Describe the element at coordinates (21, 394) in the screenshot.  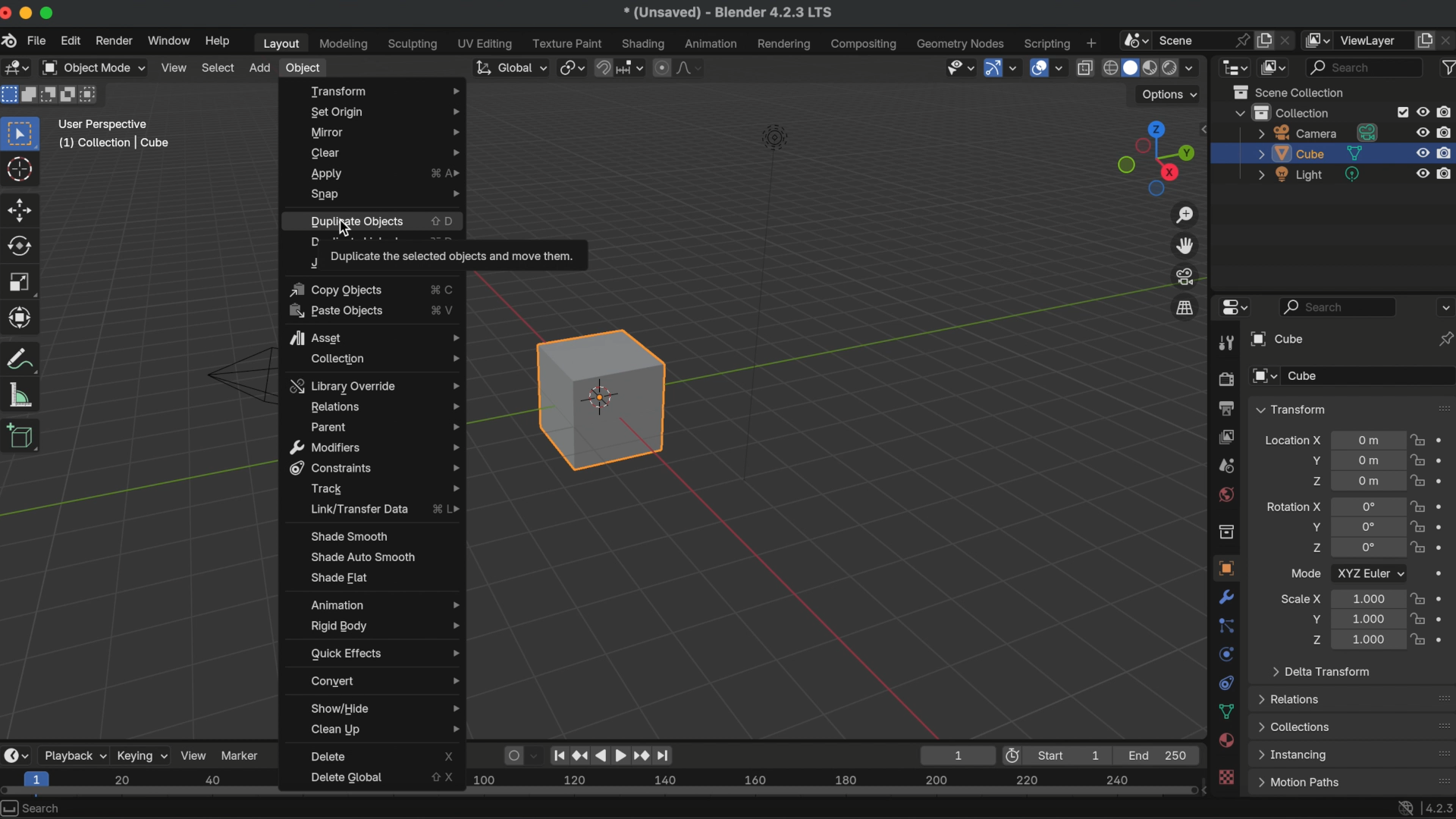
I see `measure` at that location.